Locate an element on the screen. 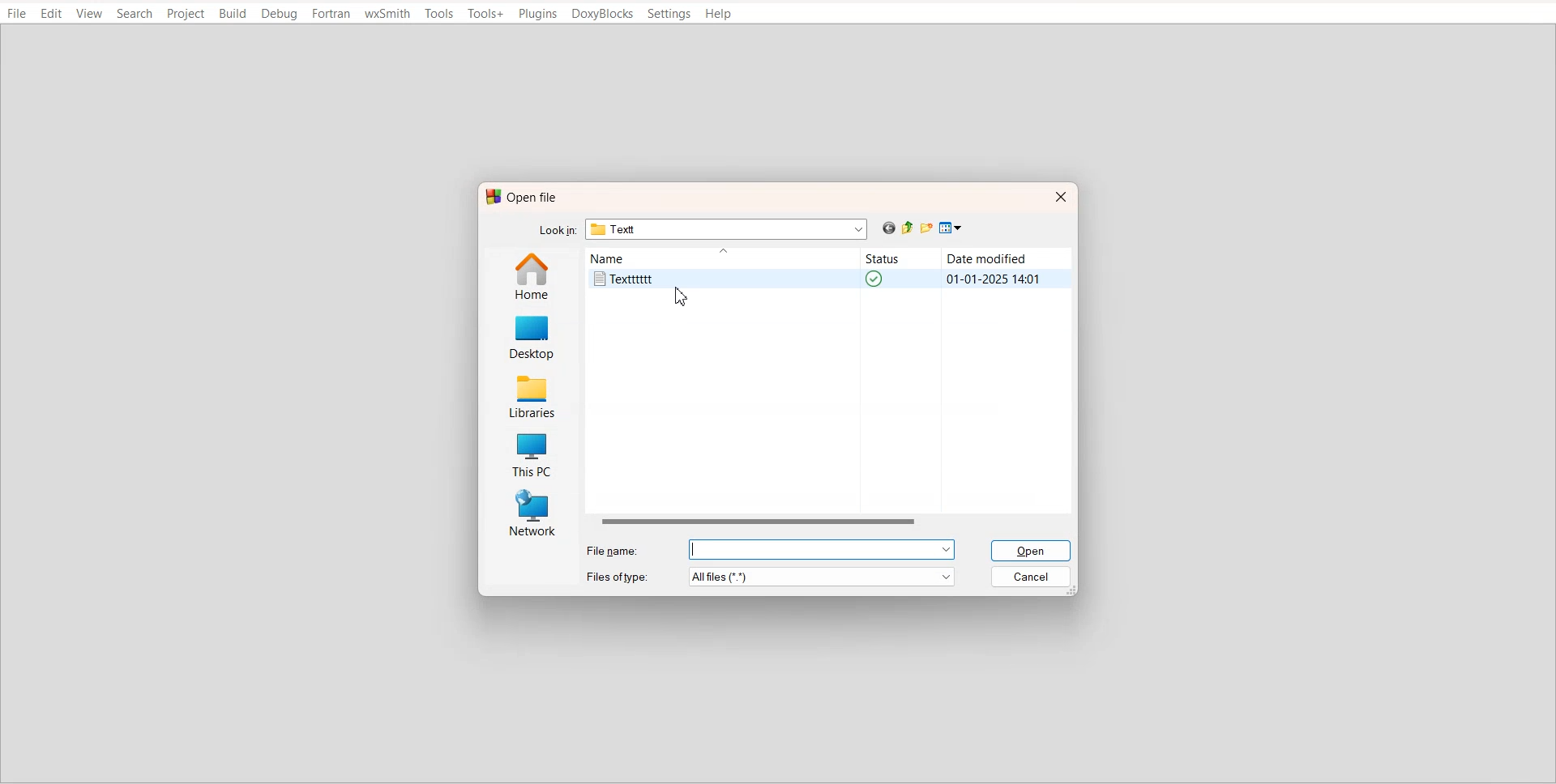 The image size is (1556, 784). Build is located at coordinates (233, 13).